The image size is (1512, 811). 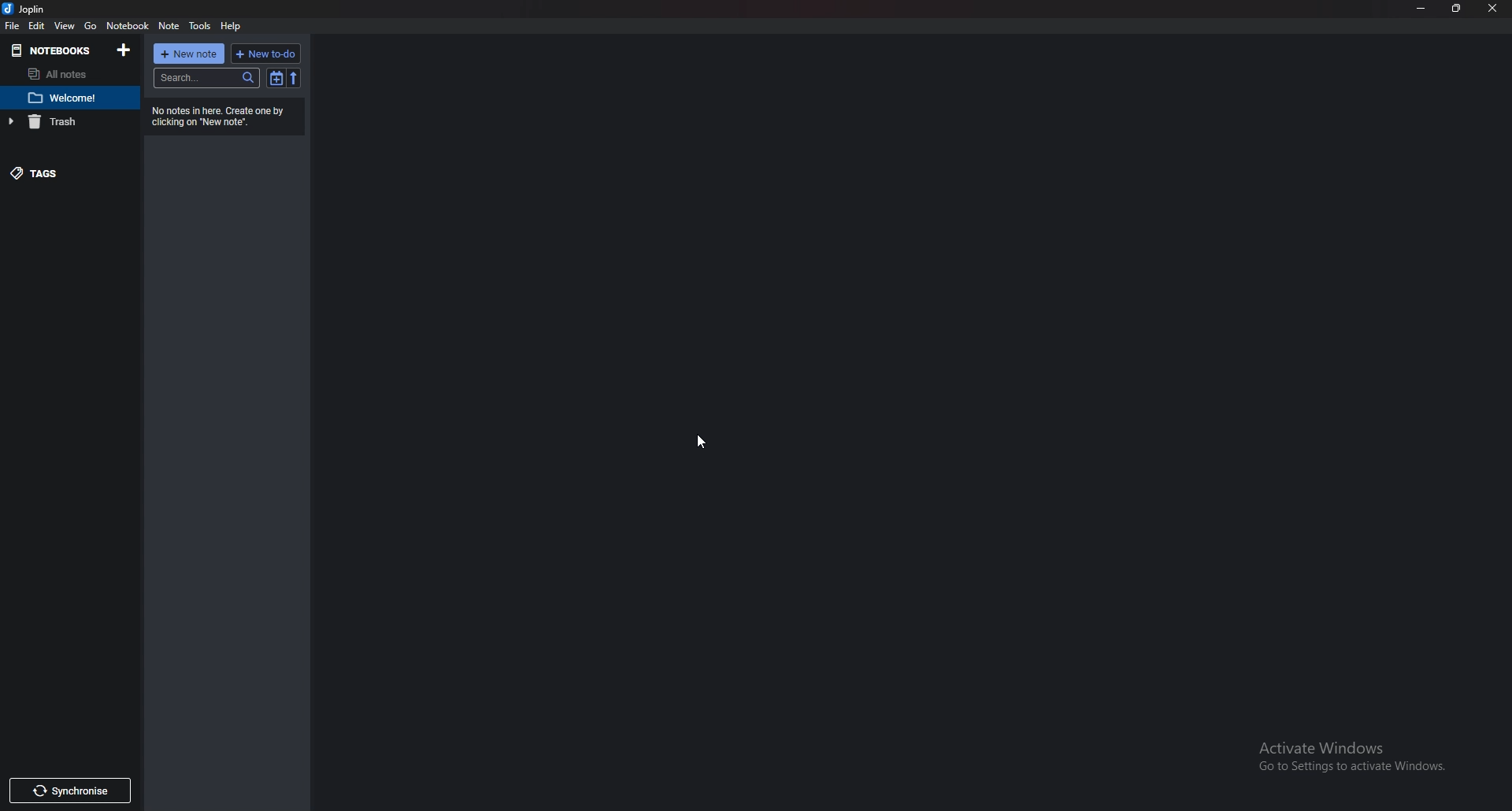 I want to click on Go to Settings to activate Windows., so click(x=1348, y=768).